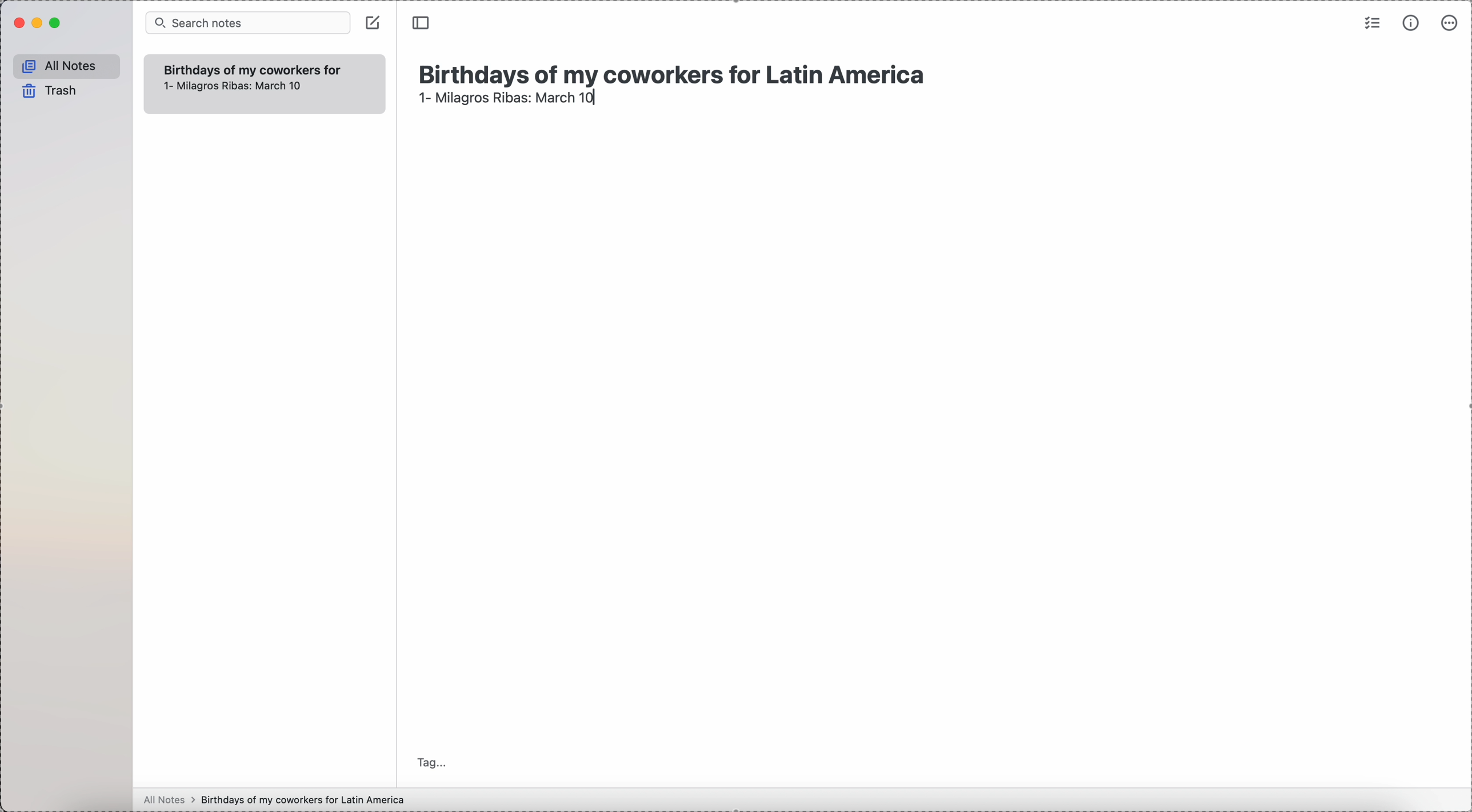  Describe the element at coordinates (277, 799) in the screenshot. I see `all notes > birthdays of my coworkers for Latin America` at that location.